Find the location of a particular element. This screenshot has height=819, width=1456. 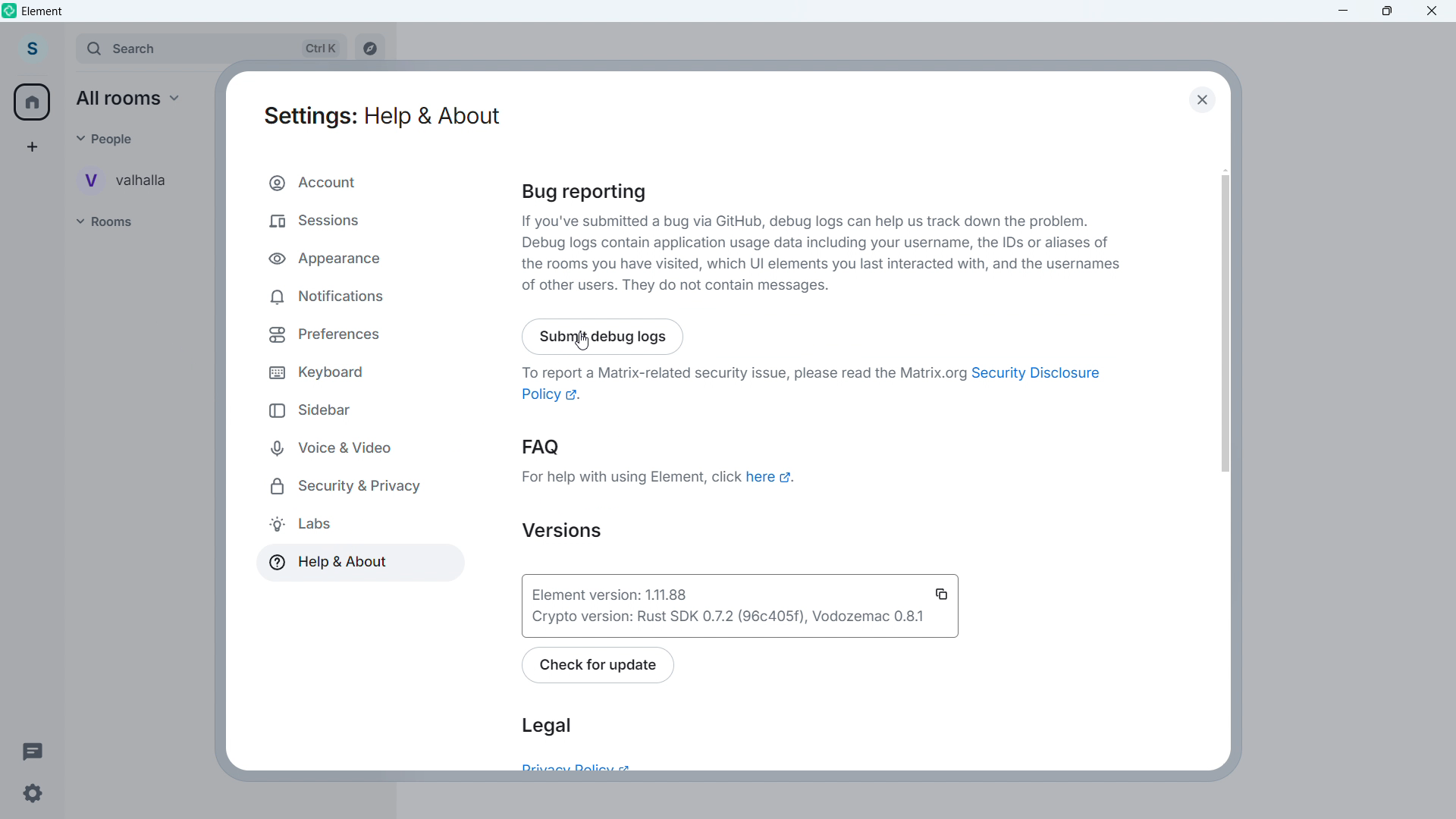

Account  is located at coordinates (31, 49).